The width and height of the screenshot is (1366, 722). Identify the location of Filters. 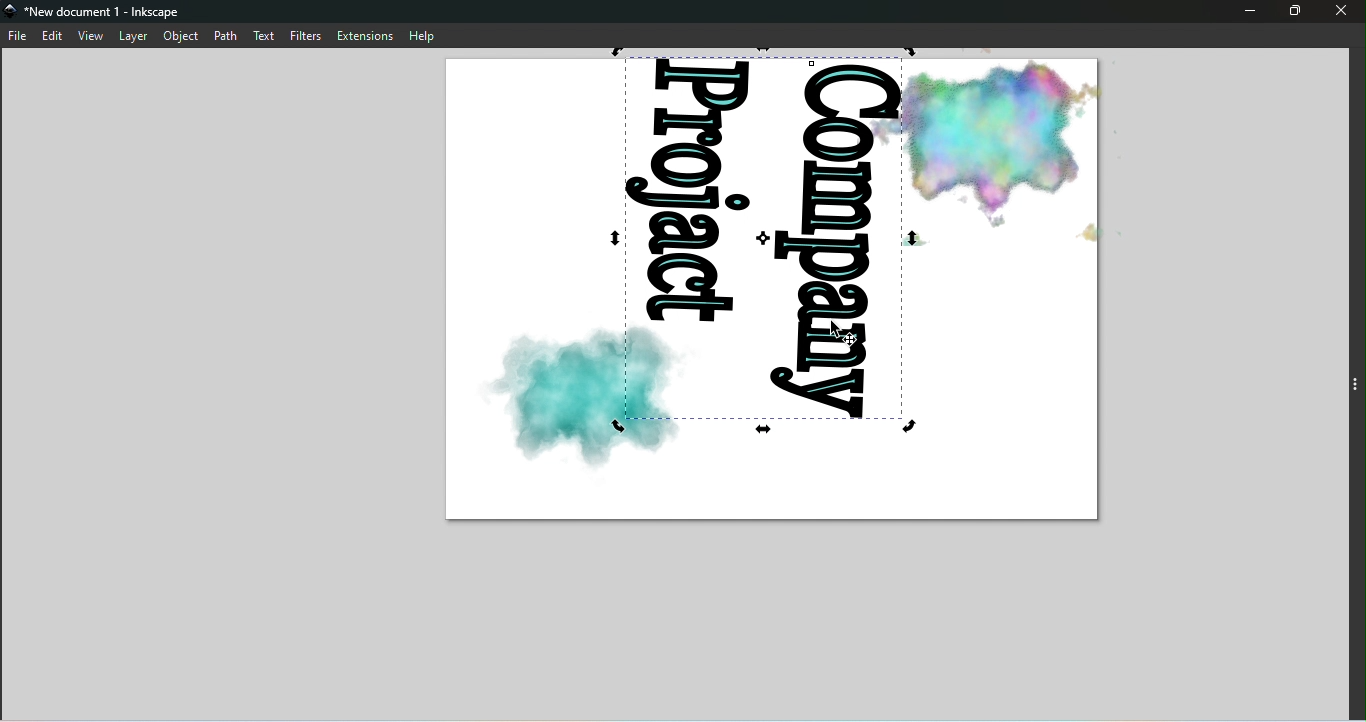
(307, 35).